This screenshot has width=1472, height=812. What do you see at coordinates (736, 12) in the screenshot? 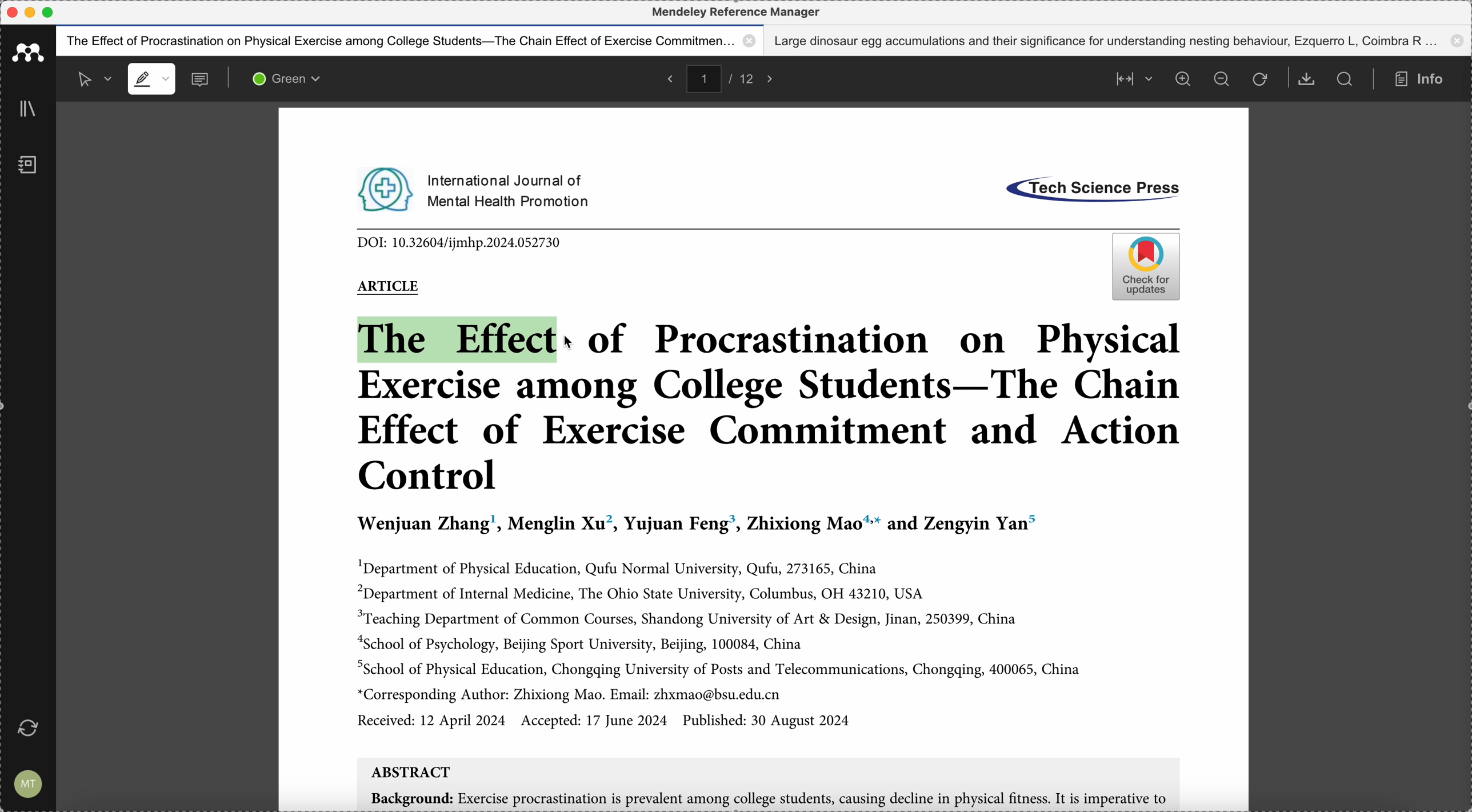
I see `Mendeley reference manager` at bounding box center [736, 12].